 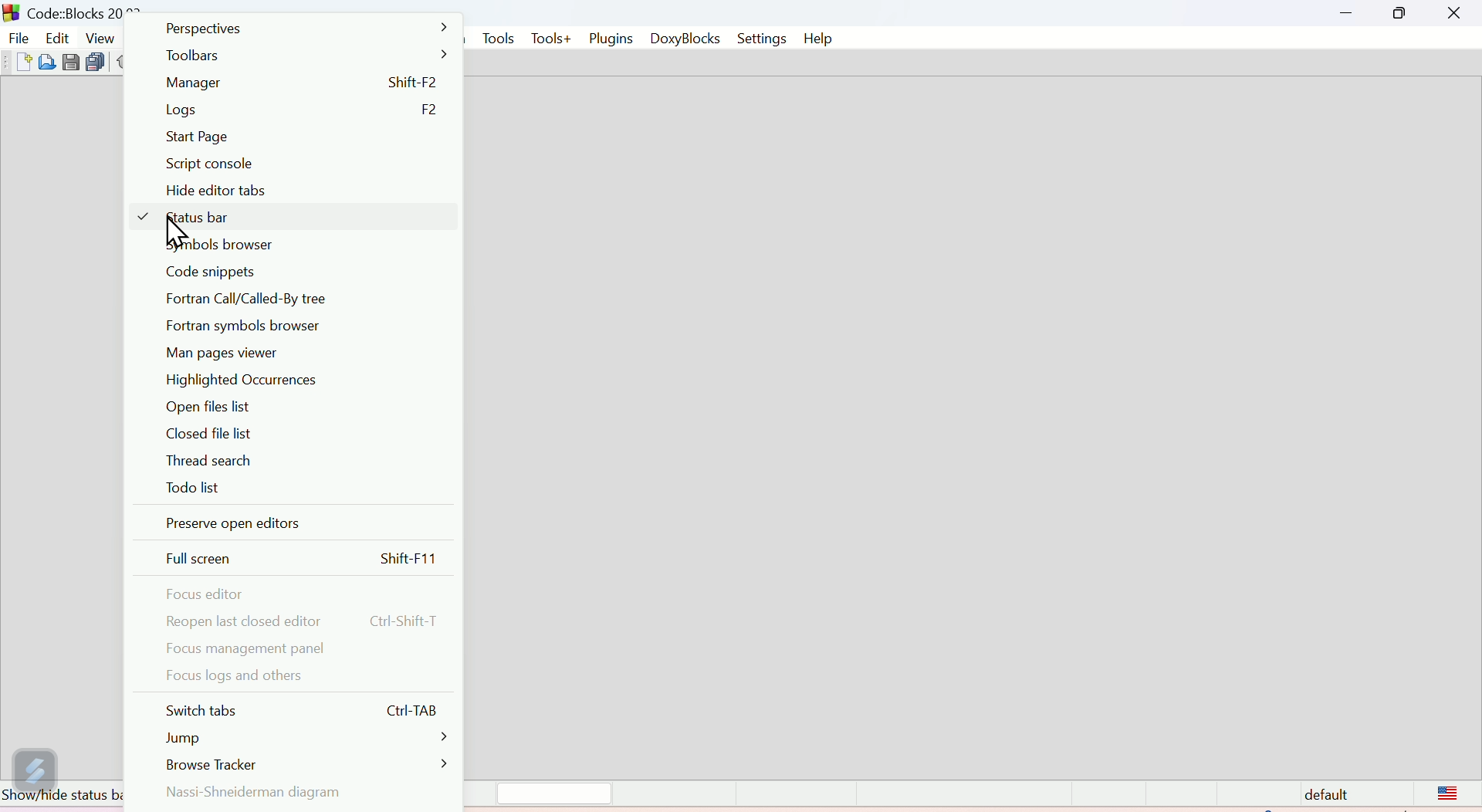 I want to click on Open files list, so click(x=210, y=408).